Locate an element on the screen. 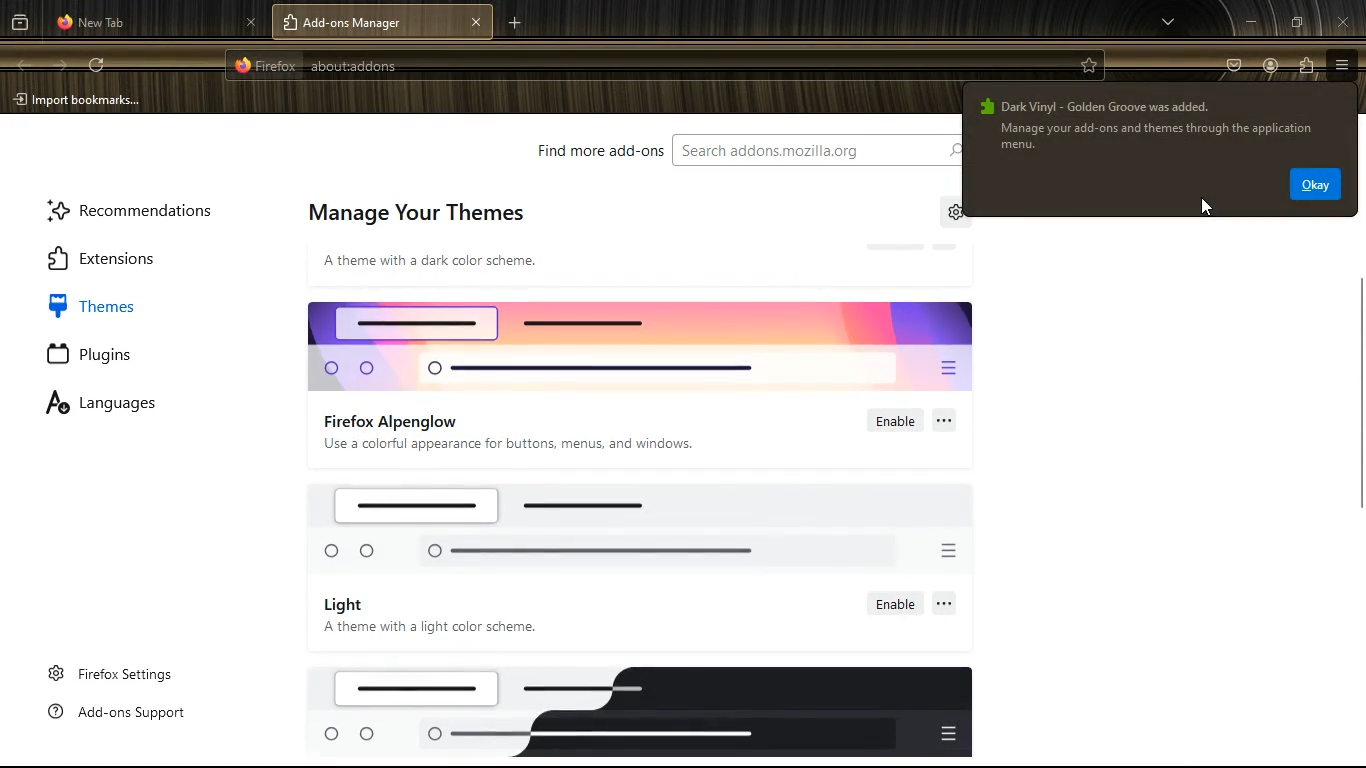  back is located at coordinates (26, 64).